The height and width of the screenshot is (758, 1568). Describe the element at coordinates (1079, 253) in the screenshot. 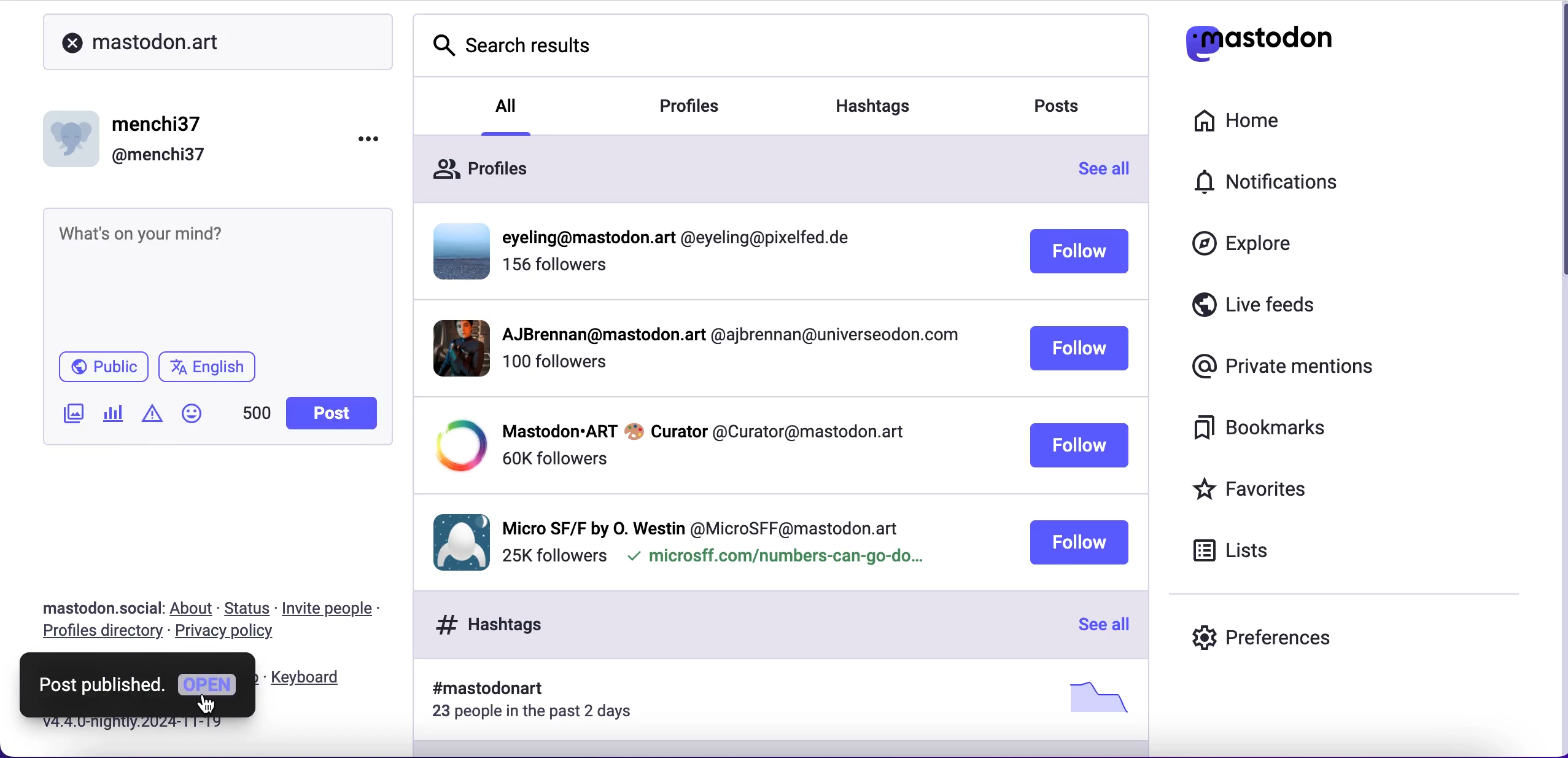

I see `follow` at that location.